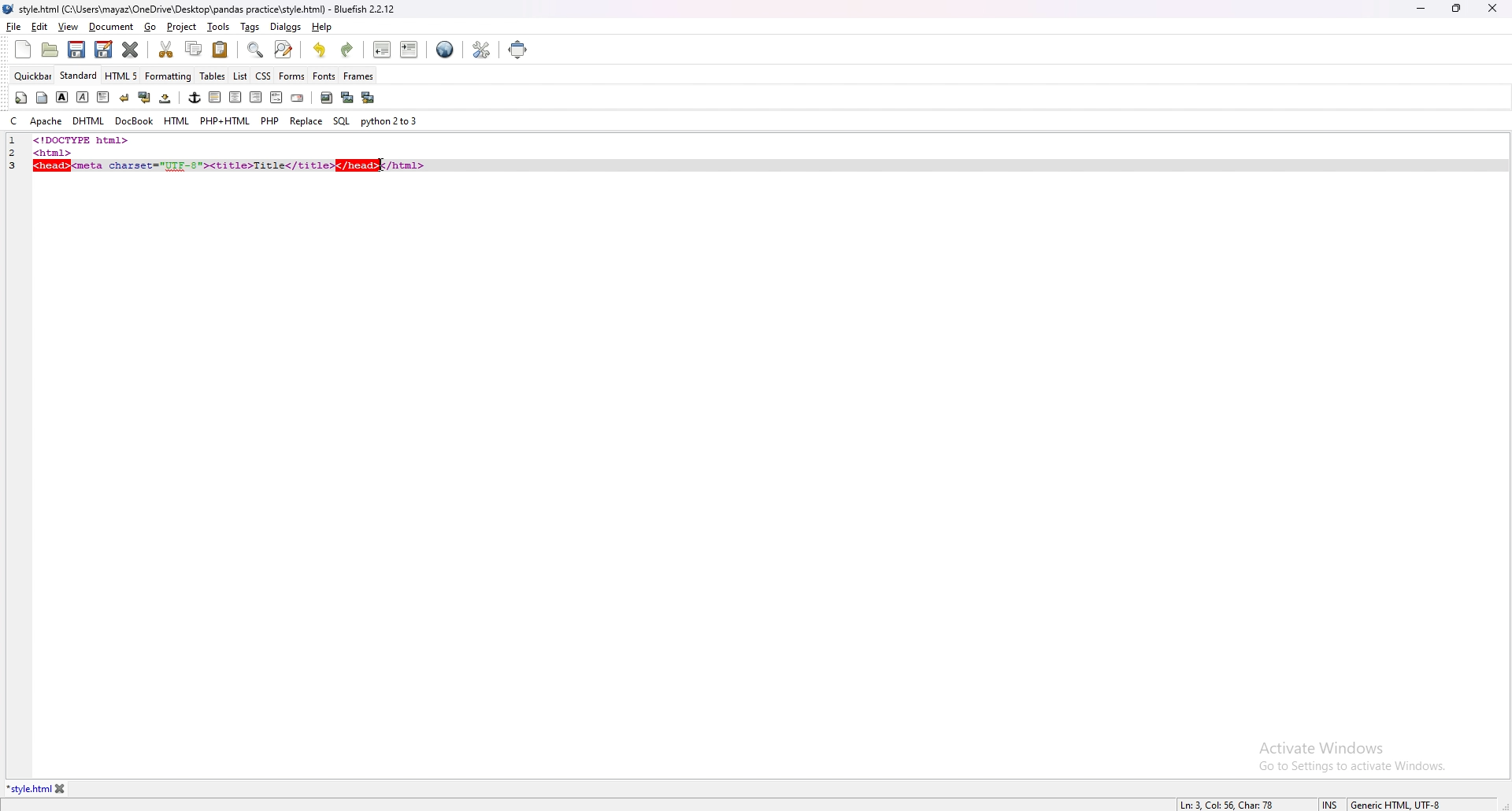  I want to click on code, so click(233, 161).